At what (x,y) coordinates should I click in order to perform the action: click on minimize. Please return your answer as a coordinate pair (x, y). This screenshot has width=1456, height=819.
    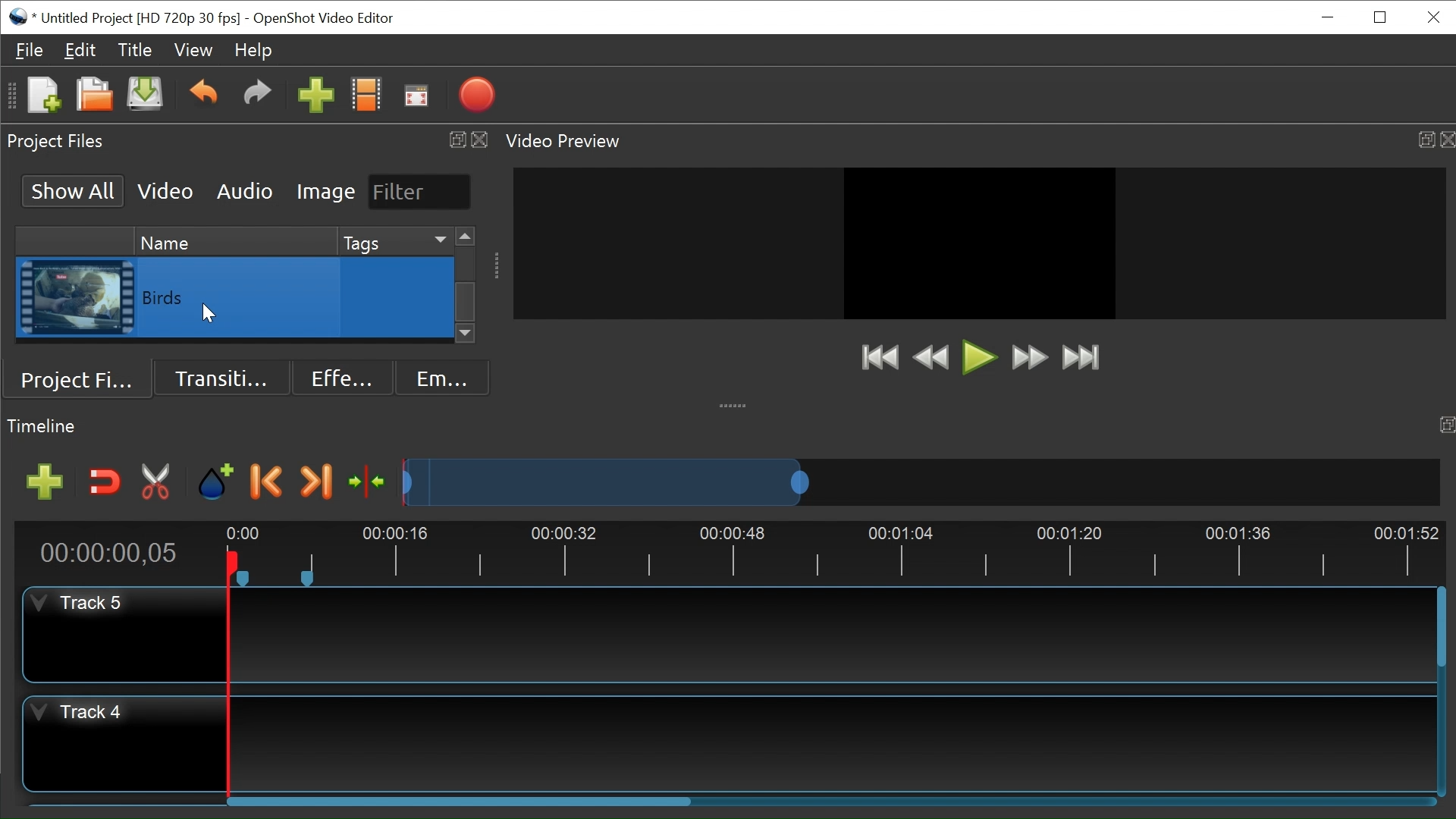
    Looking at the image, I should click on (1329, 17).